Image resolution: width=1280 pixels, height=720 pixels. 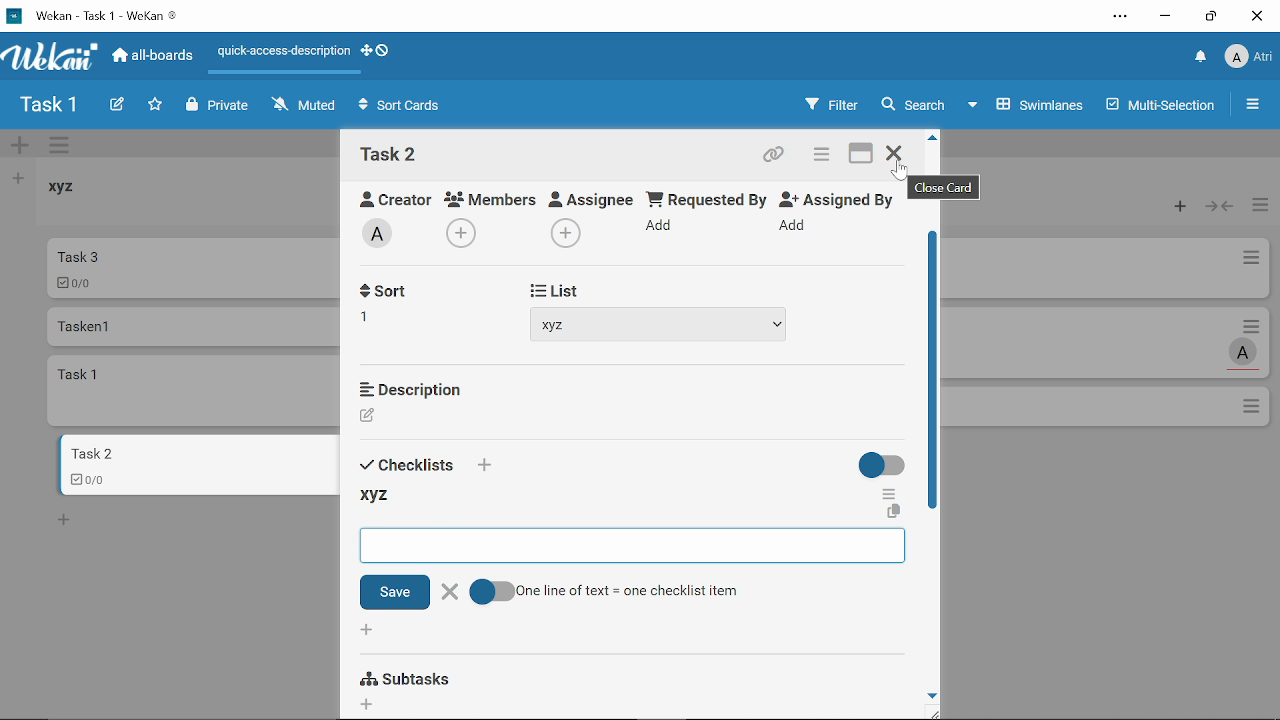 What do you see at coordinates (116, 106) in the screenshot?
I see `Create` at bounding box center [116, 106].